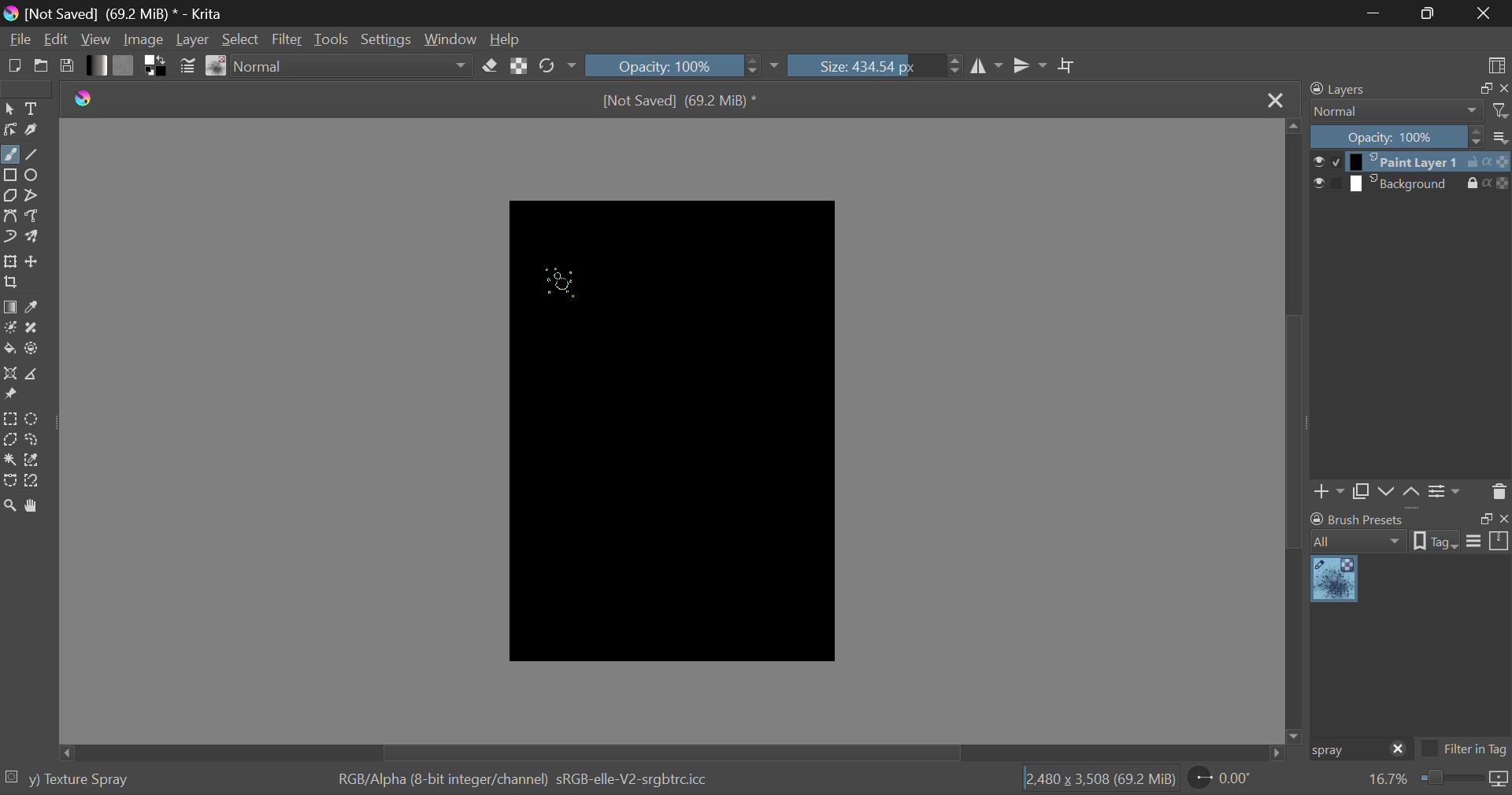 Image resolution: width=1512 pixels, height=795 pixels. I want to click on Bezier Curve, so click(9, 215).